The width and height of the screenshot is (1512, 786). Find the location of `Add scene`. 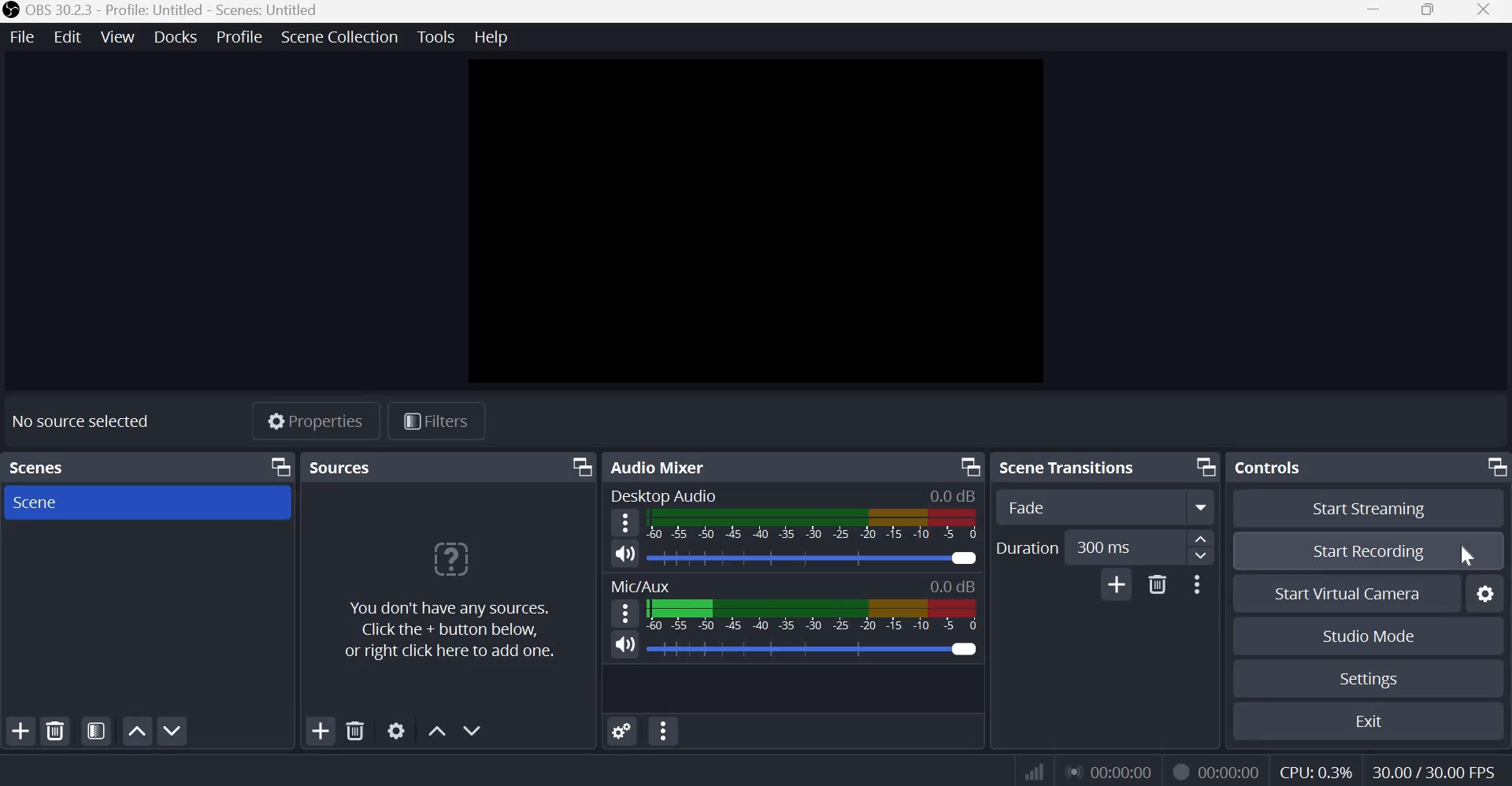

Add scene is located at coordinates (20, 729).